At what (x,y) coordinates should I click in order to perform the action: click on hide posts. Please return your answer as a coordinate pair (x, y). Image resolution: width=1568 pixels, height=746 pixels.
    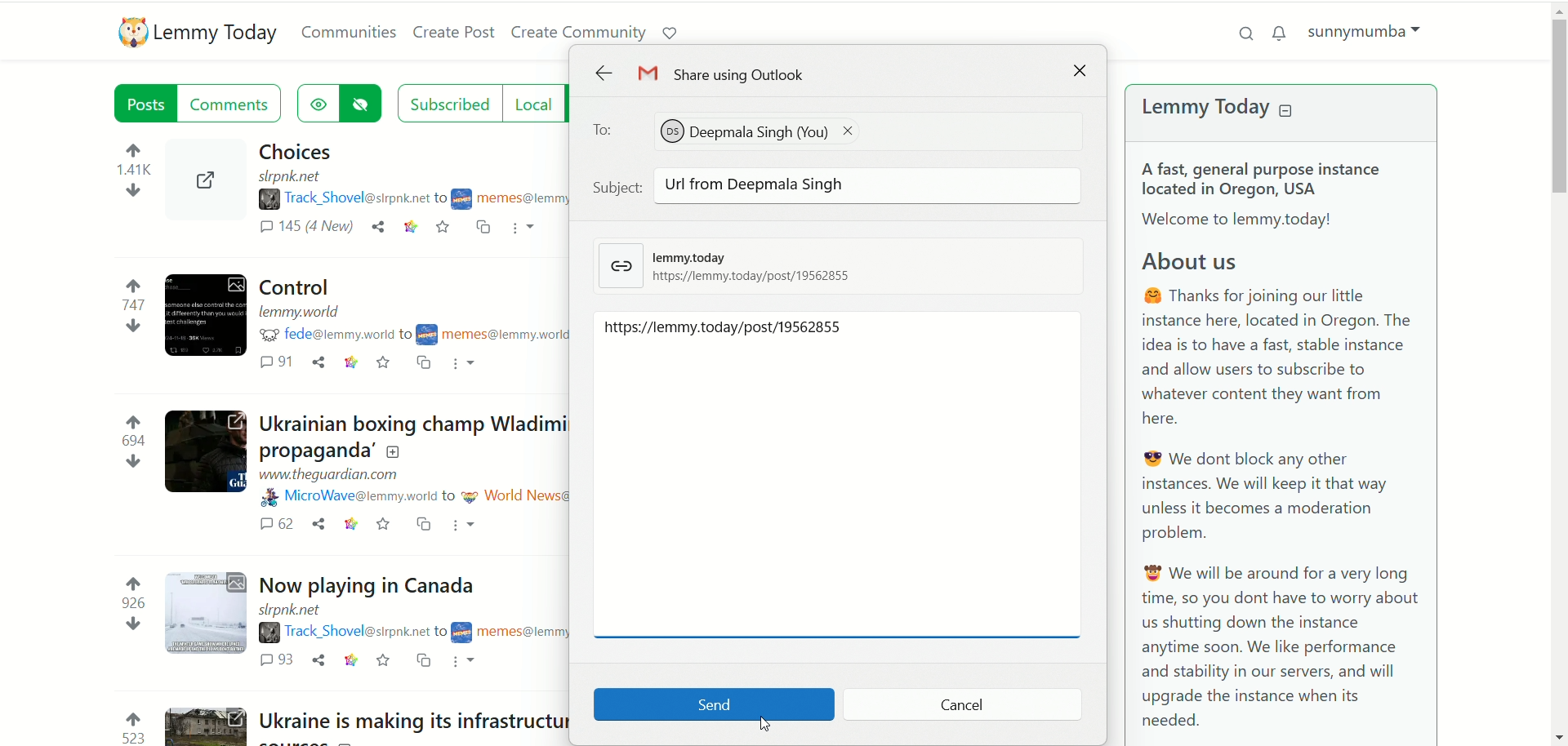
    Looking at the image, I should click on (362, 105).